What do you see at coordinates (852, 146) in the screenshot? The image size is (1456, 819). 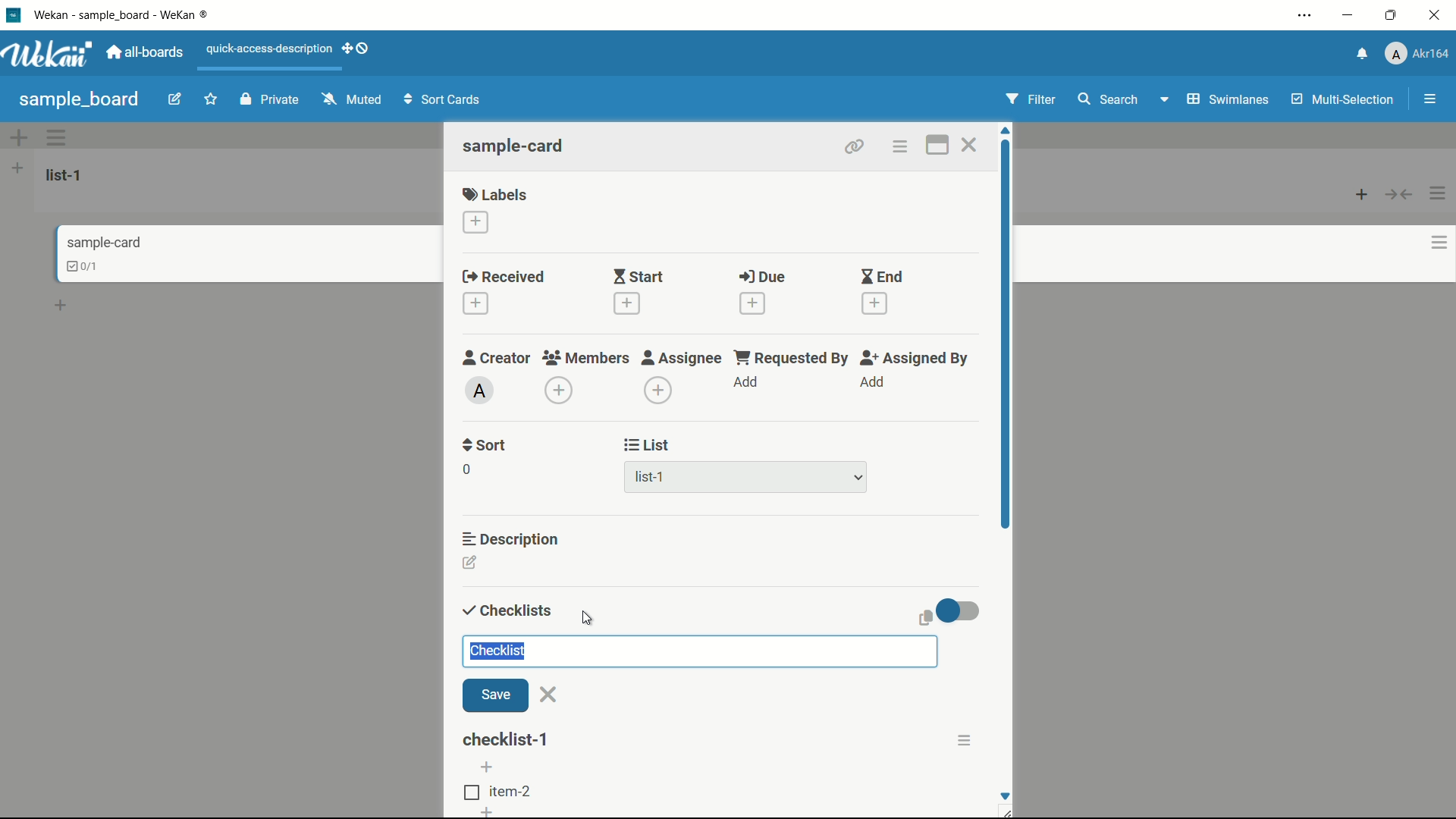 I see `copy link to clipboard` at bounding box center [852, 146].